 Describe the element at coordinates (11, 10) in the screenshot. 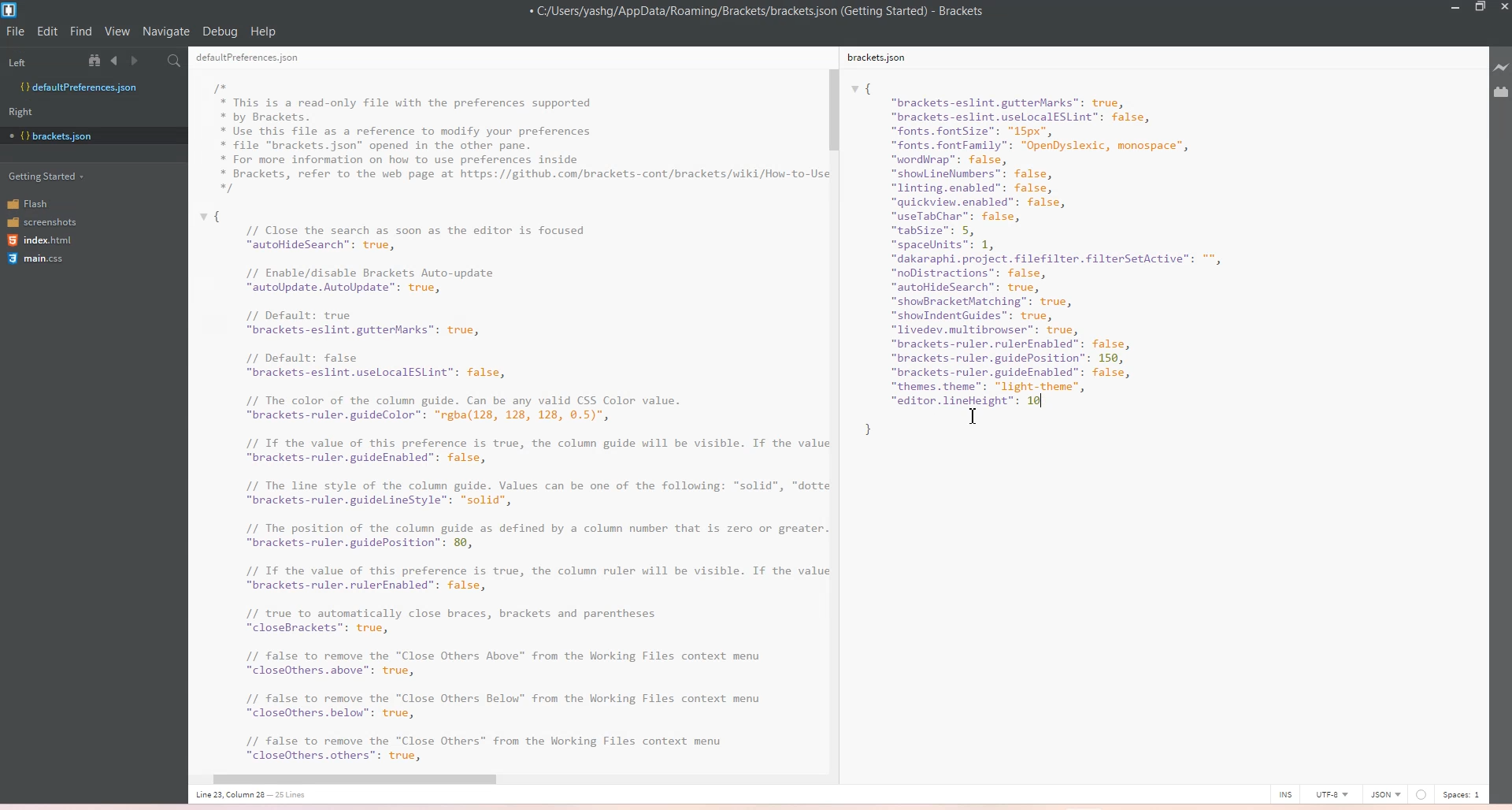

I see `Bracket log` at that location.